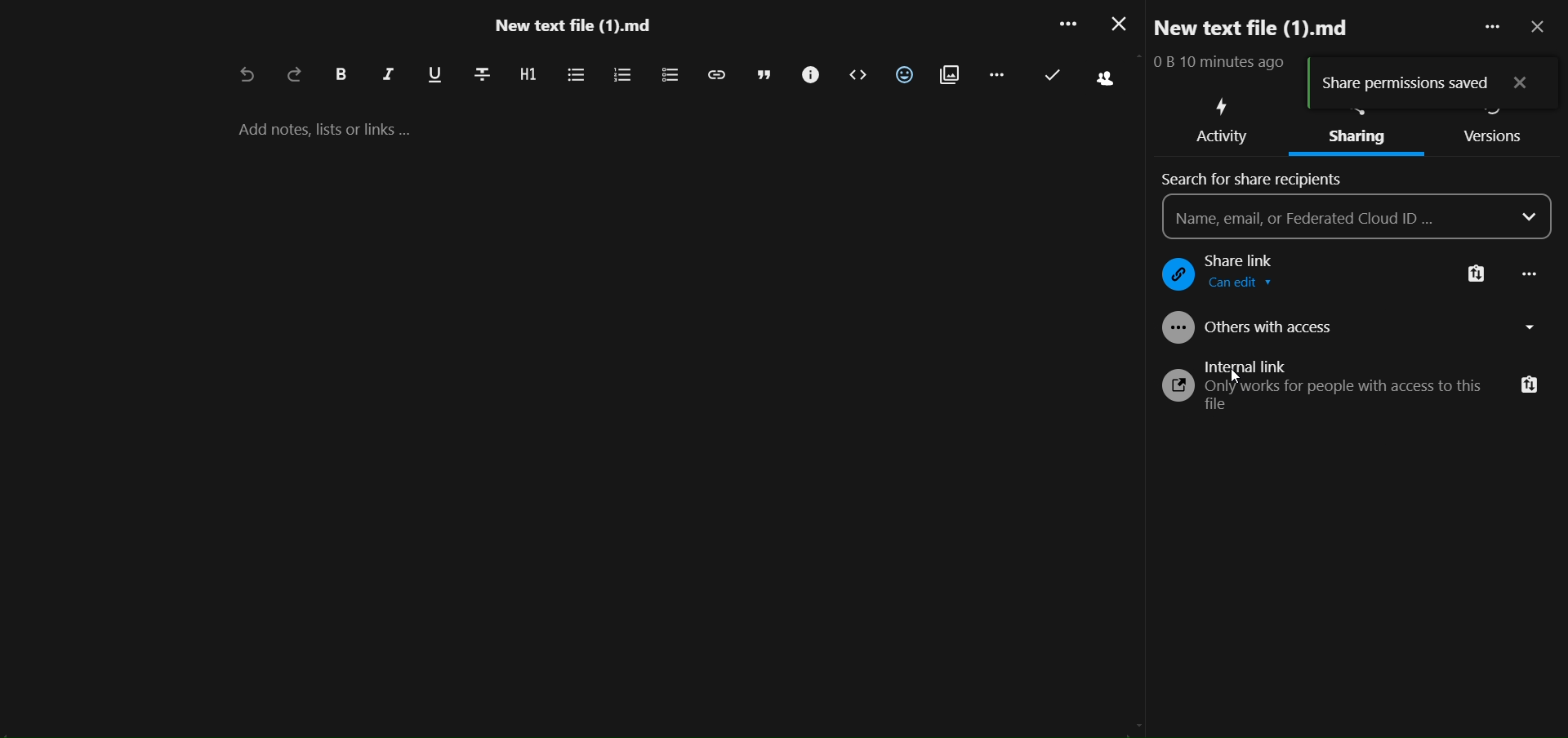 The width and height of the screenshot is (1568, 738). What do you see at coordinates (1530, 217) in the screenshot?
I see `dropdown` at bounding box center [1530, 217].